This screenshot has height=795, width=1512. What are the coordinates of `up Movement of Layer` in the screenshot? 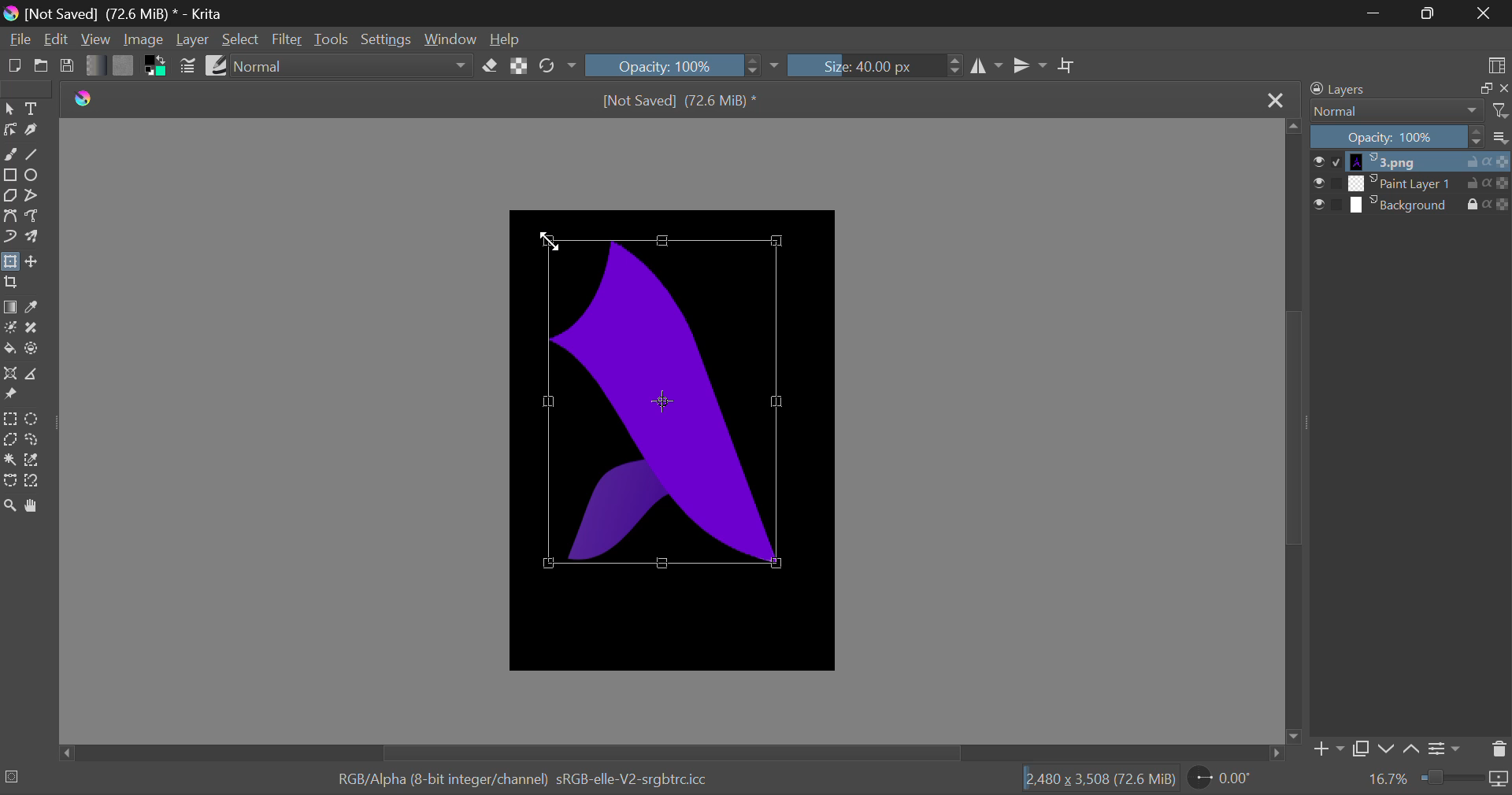 It's located at (1411, 749).